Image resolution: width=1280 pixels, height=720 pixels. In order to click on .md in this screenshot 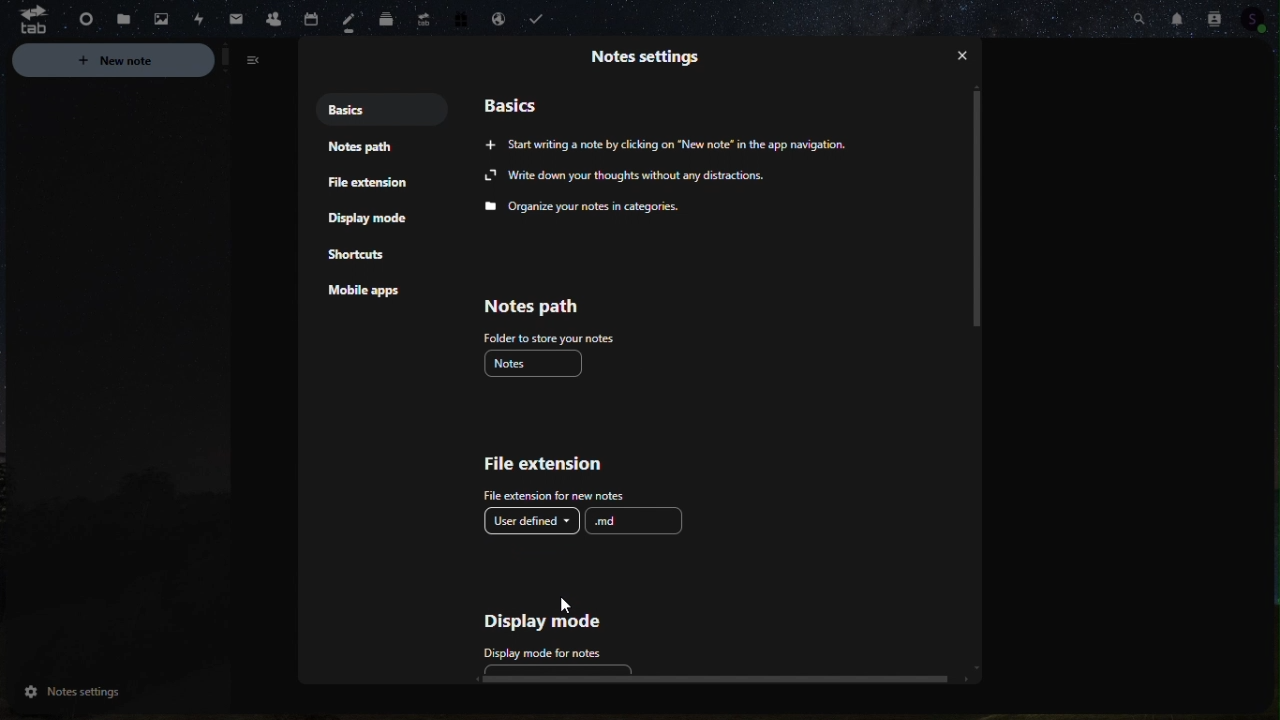, I will do `click(635, 520)`.